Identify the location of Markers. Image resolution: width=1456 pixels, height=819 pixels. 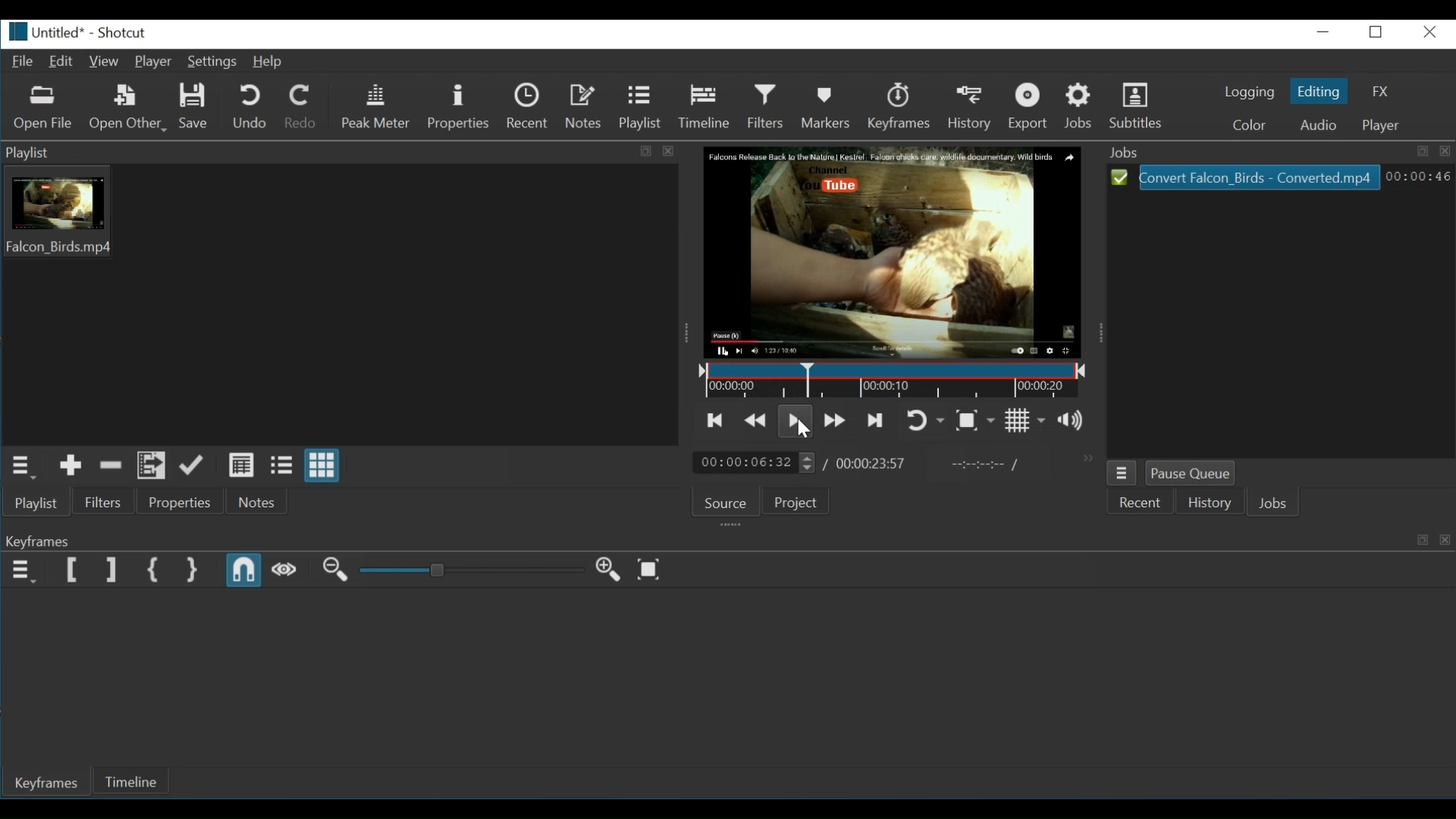
(826, 108).